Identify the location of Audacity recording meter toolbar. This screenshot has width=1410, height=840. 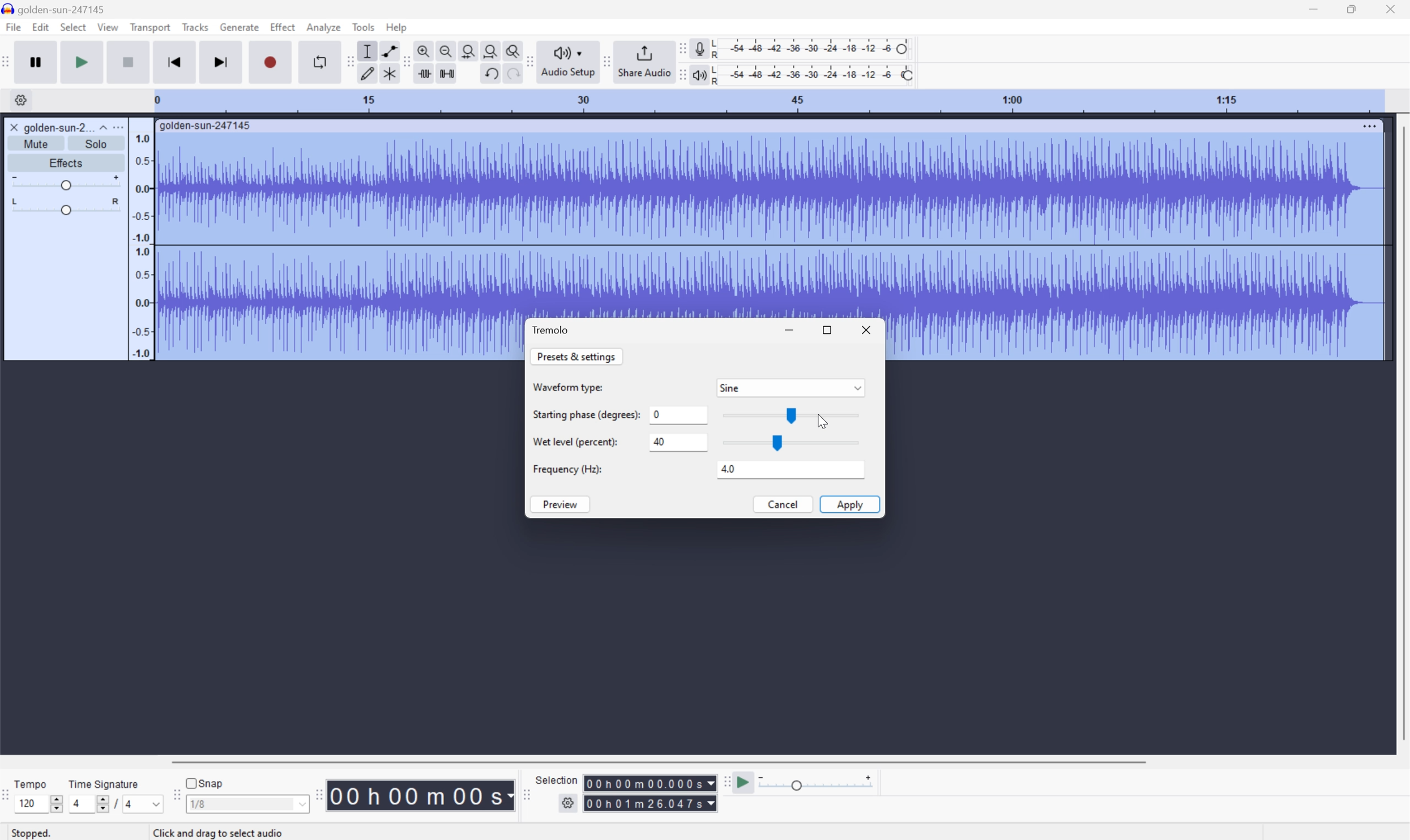
(680, 48).